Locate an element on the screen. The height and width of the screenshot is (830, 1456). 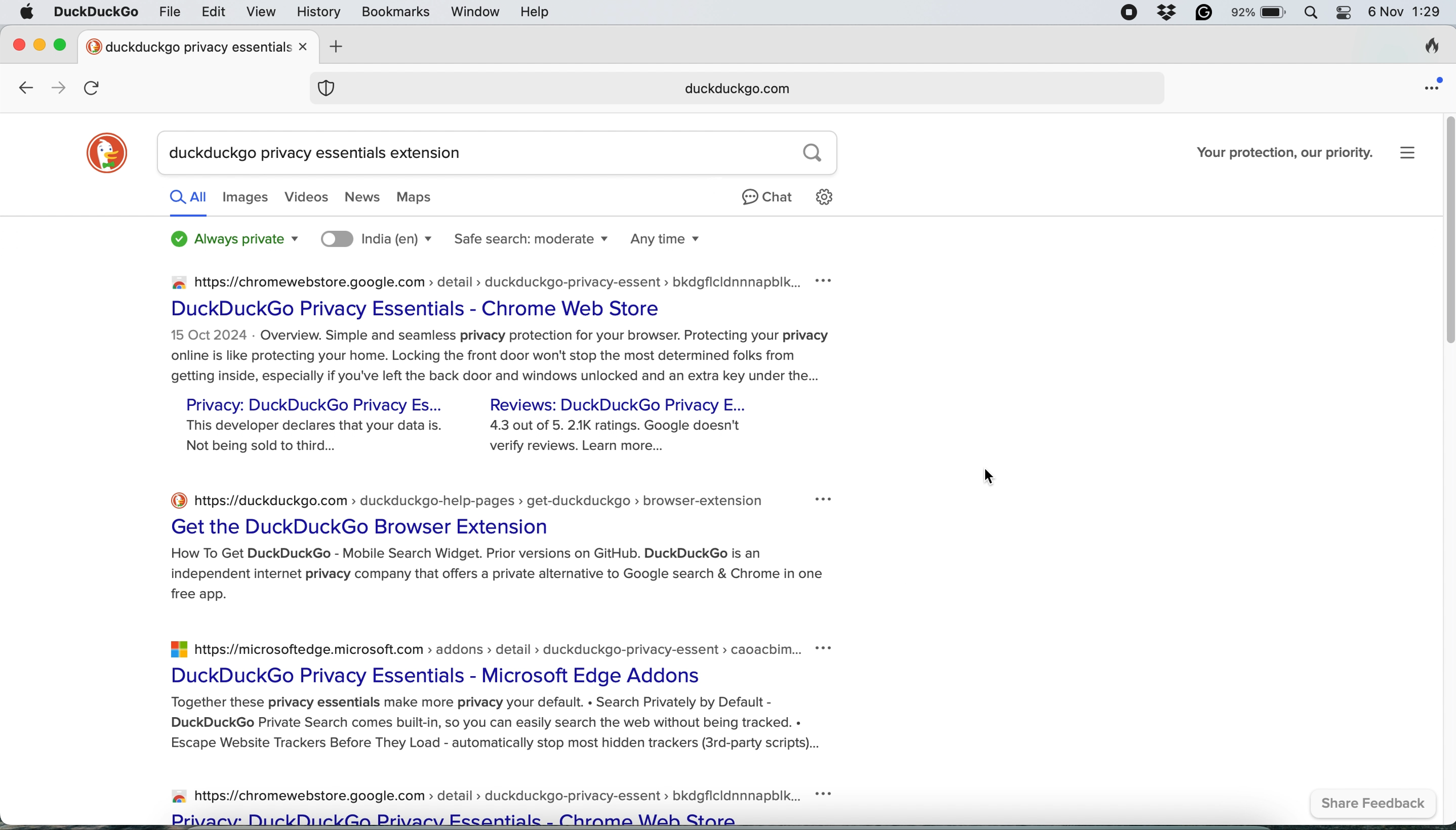
settings is located at coordinates (1402, 157).